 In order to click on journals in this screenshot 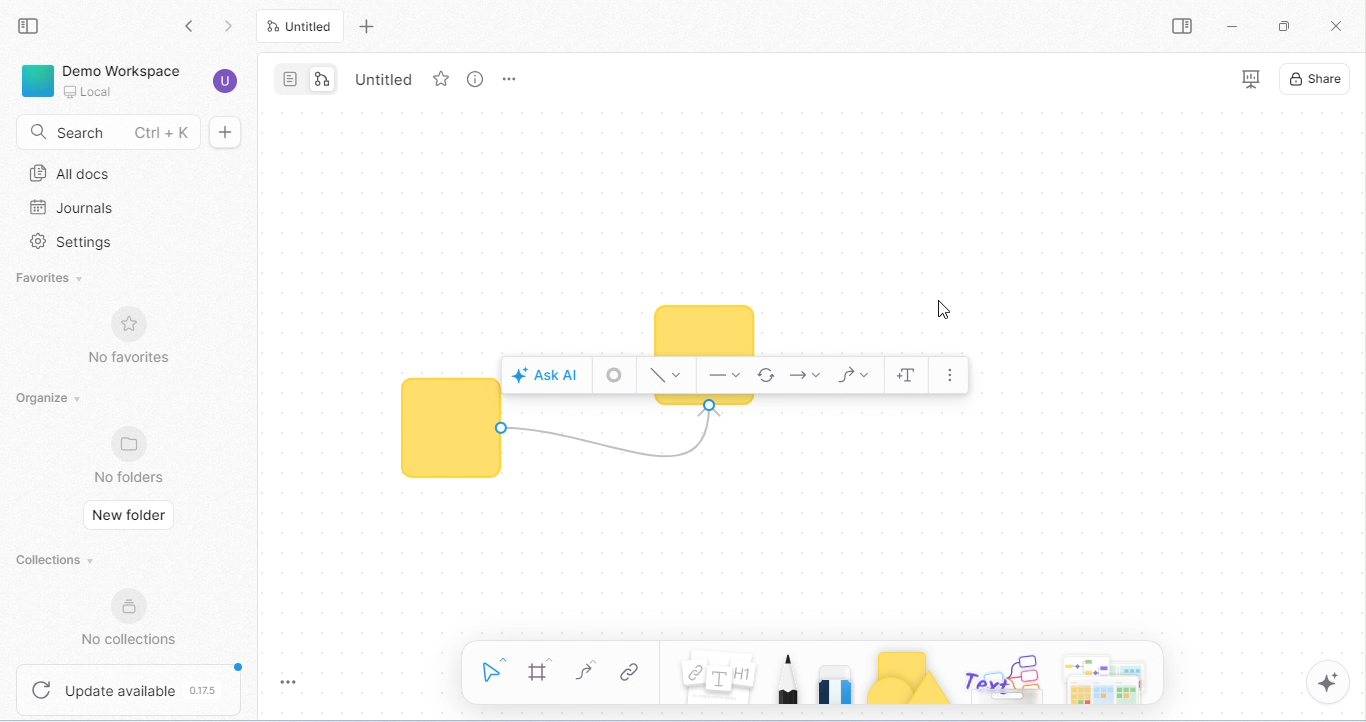, I will do `click(69, 208)`.